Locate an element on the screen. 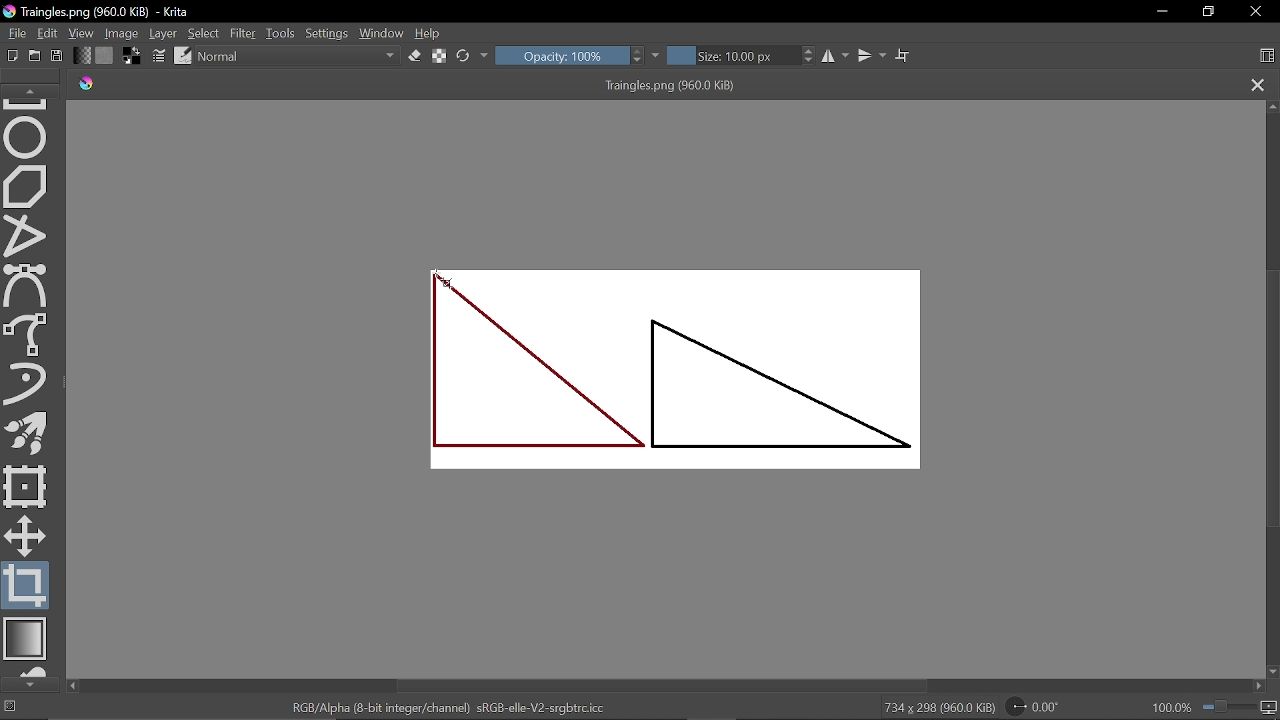  Move up is located at coordinates (1272, 106).